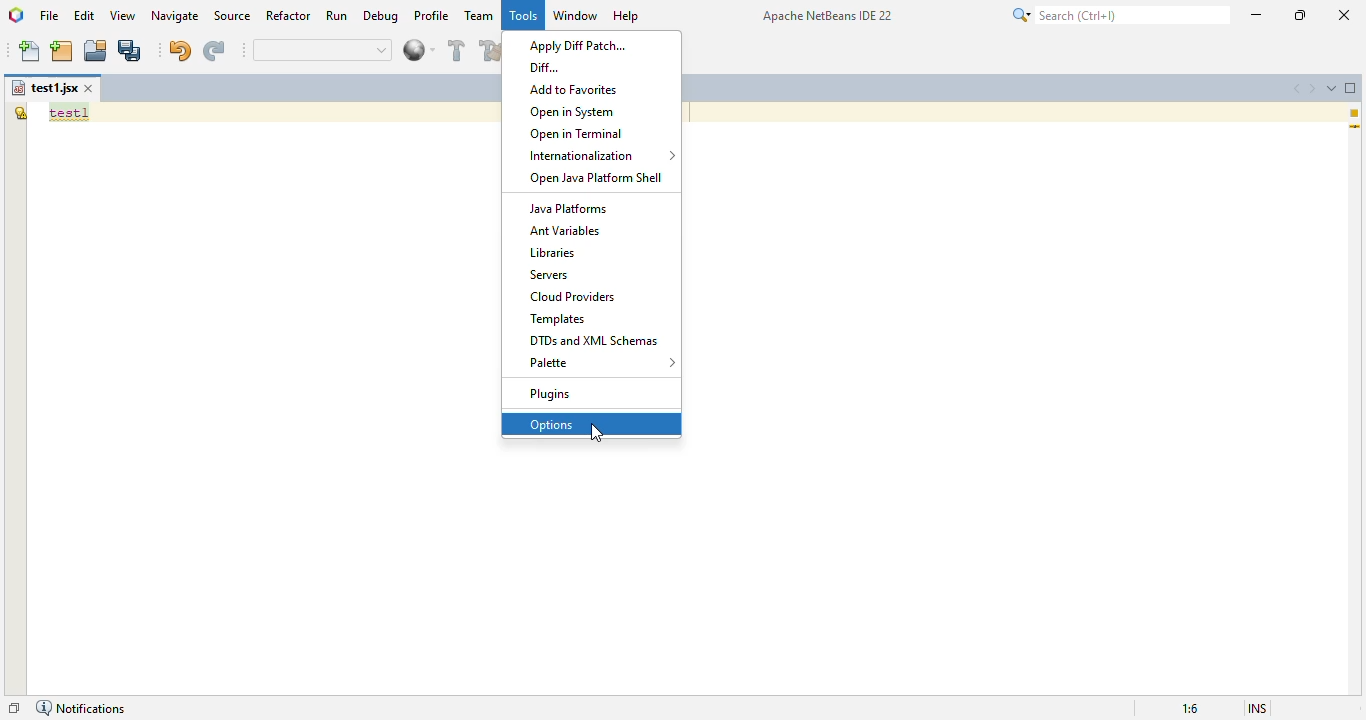  Describe the element at coordinates (545, 67) in the screenshot. I see `diff` at that location.